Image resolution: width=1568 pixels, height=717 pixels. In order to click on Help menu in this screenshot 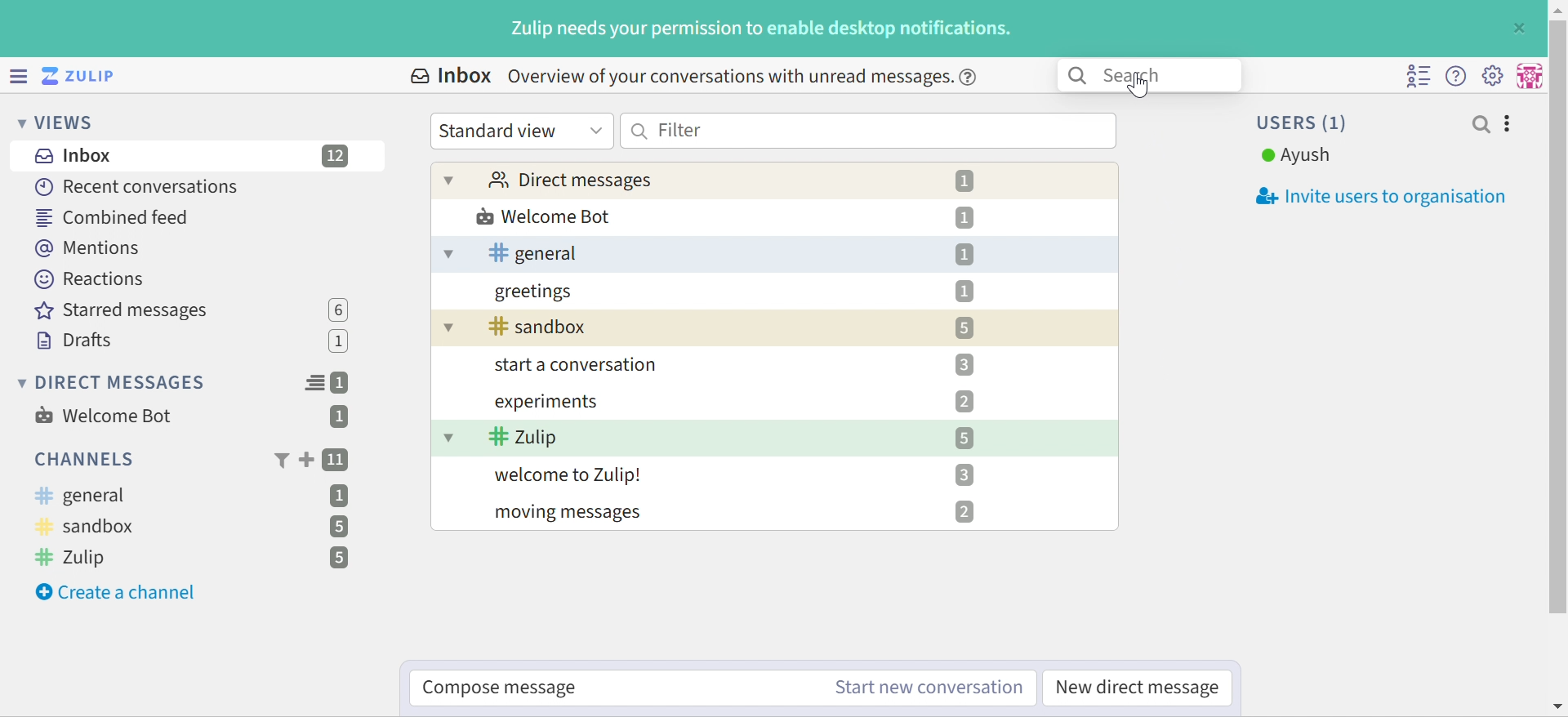, I will do `click(1458, 75)`.